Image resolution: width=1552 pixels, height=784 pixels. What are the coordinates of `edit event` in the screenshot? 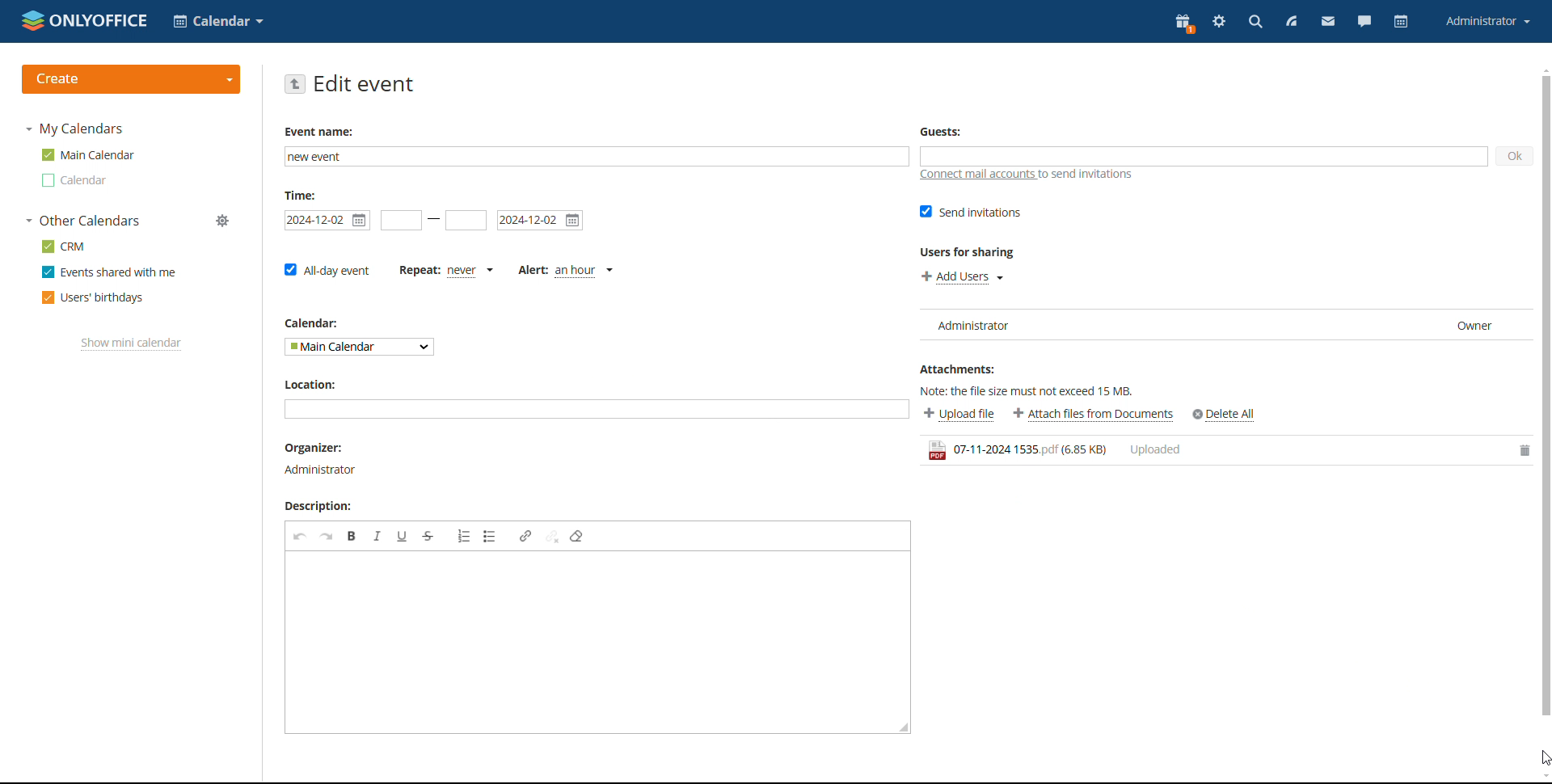 It's located at (365, 84).